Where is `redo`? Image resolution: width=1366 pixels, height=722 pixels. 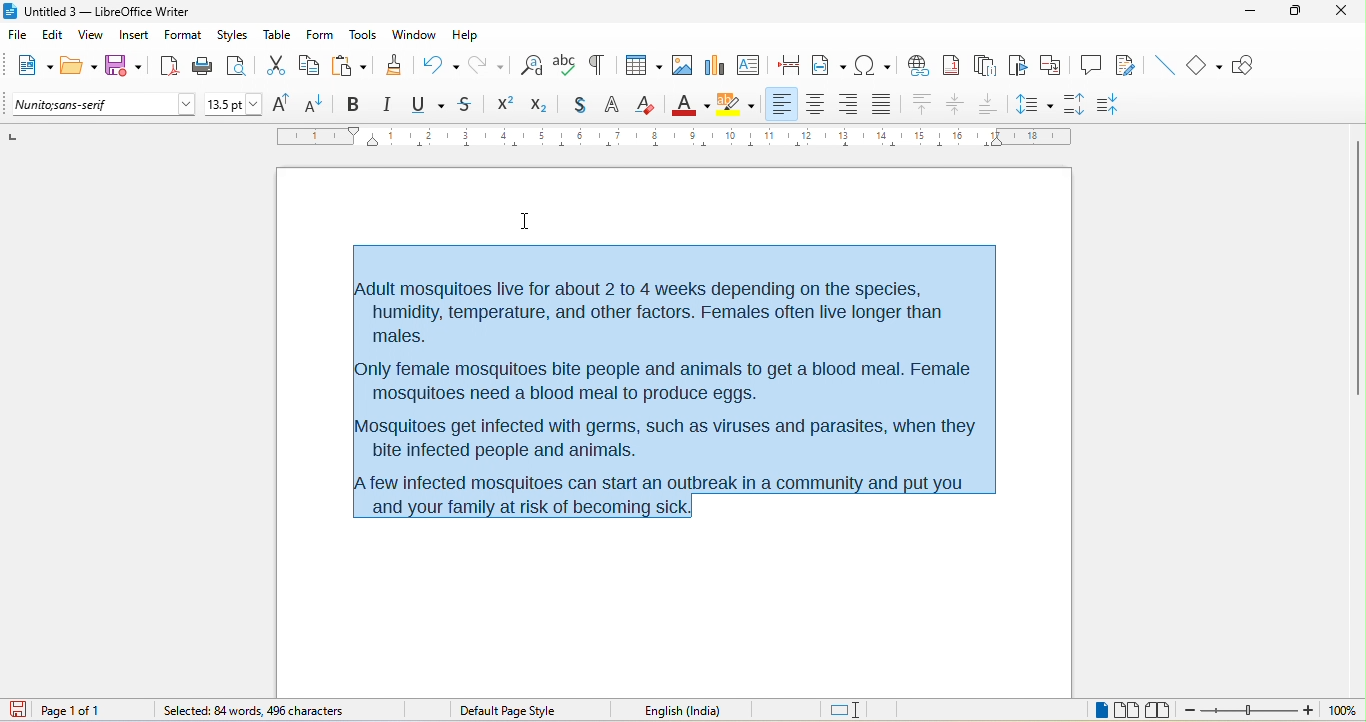
redo is located at coordinates (491, 64).